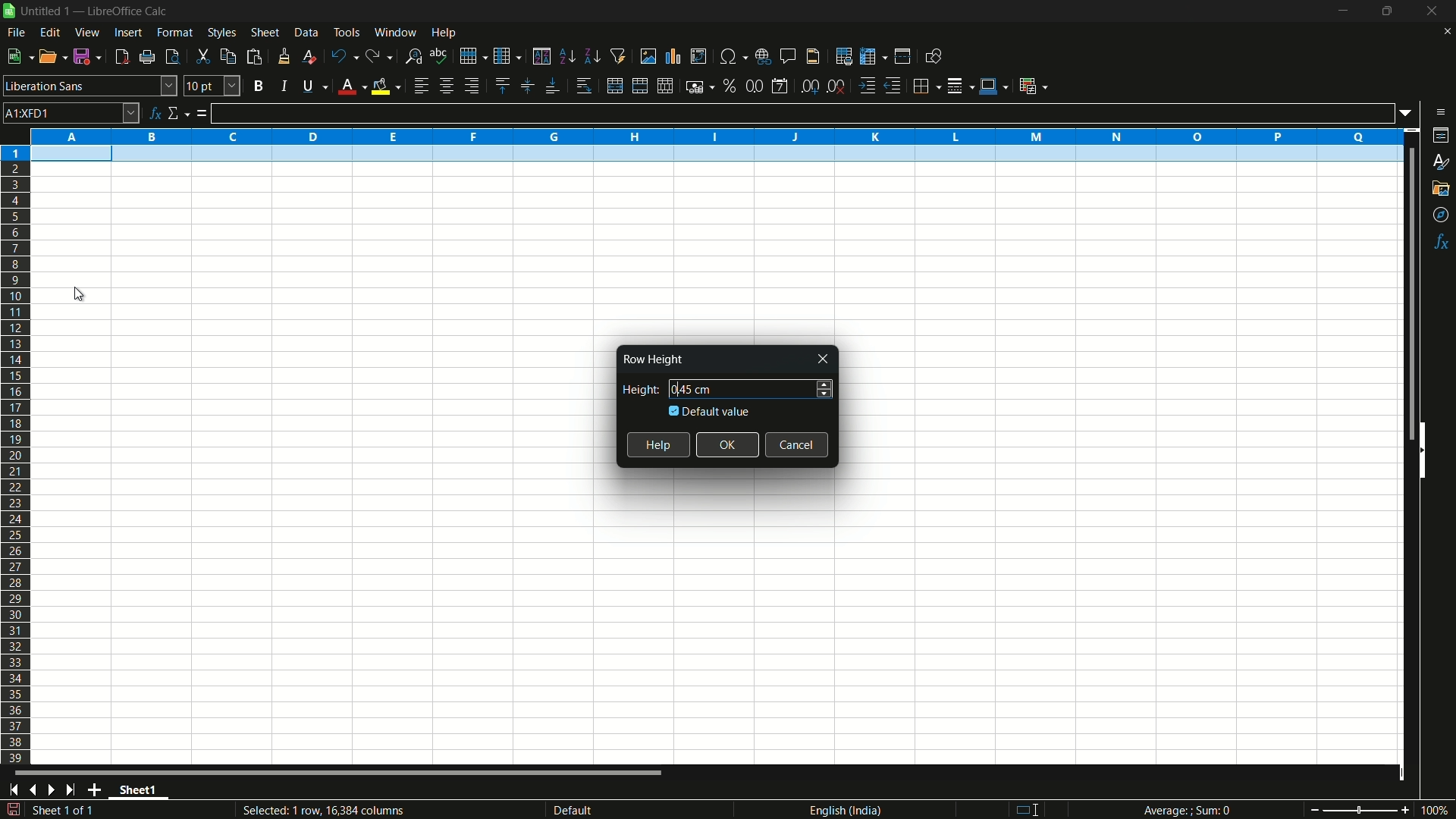 The image size is (1456, 819). I want to click on spelling, so click(439, 55).